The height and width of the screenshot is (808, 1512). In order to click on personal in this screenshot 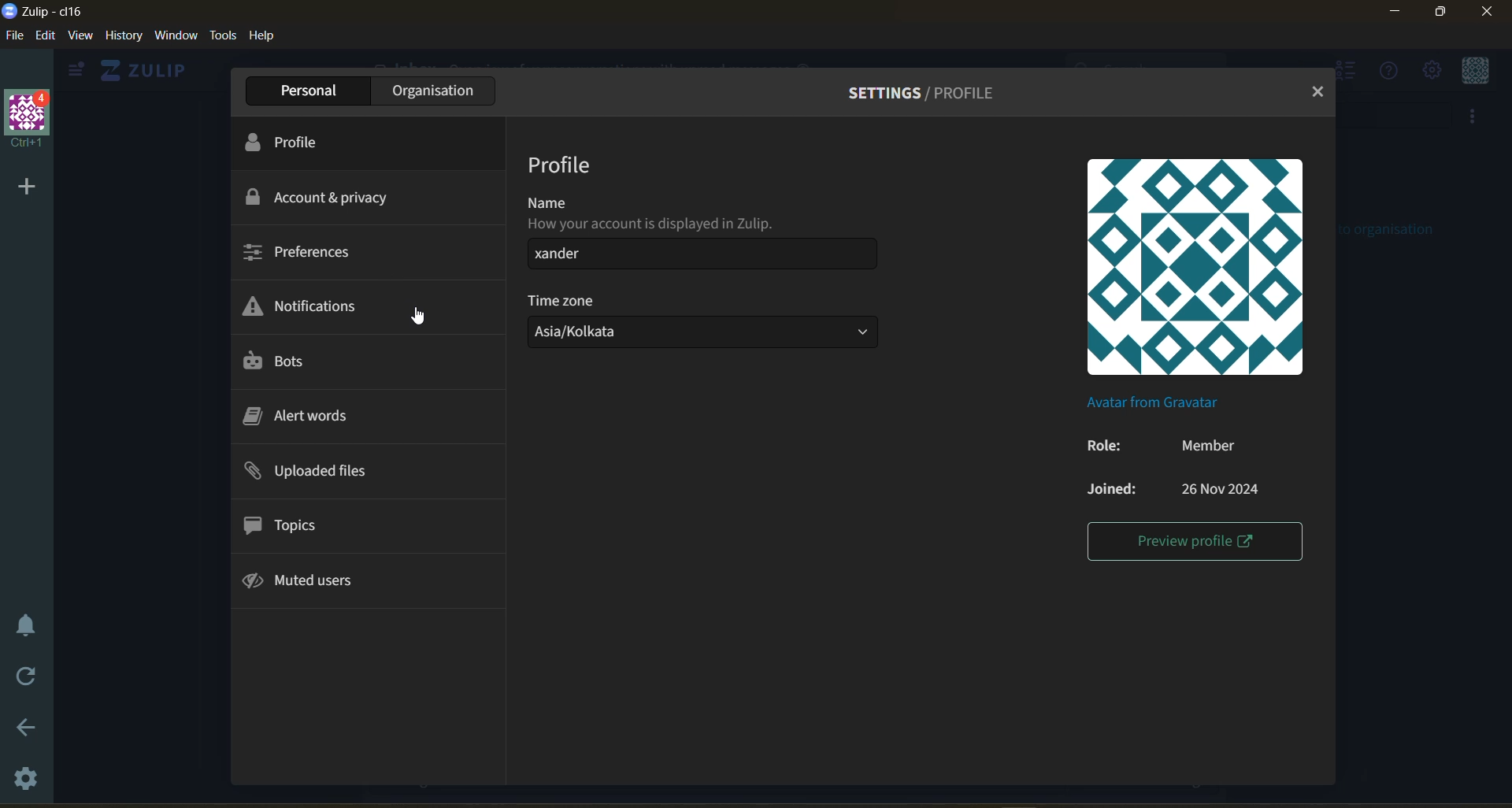, I will do `click(302, 90)`.